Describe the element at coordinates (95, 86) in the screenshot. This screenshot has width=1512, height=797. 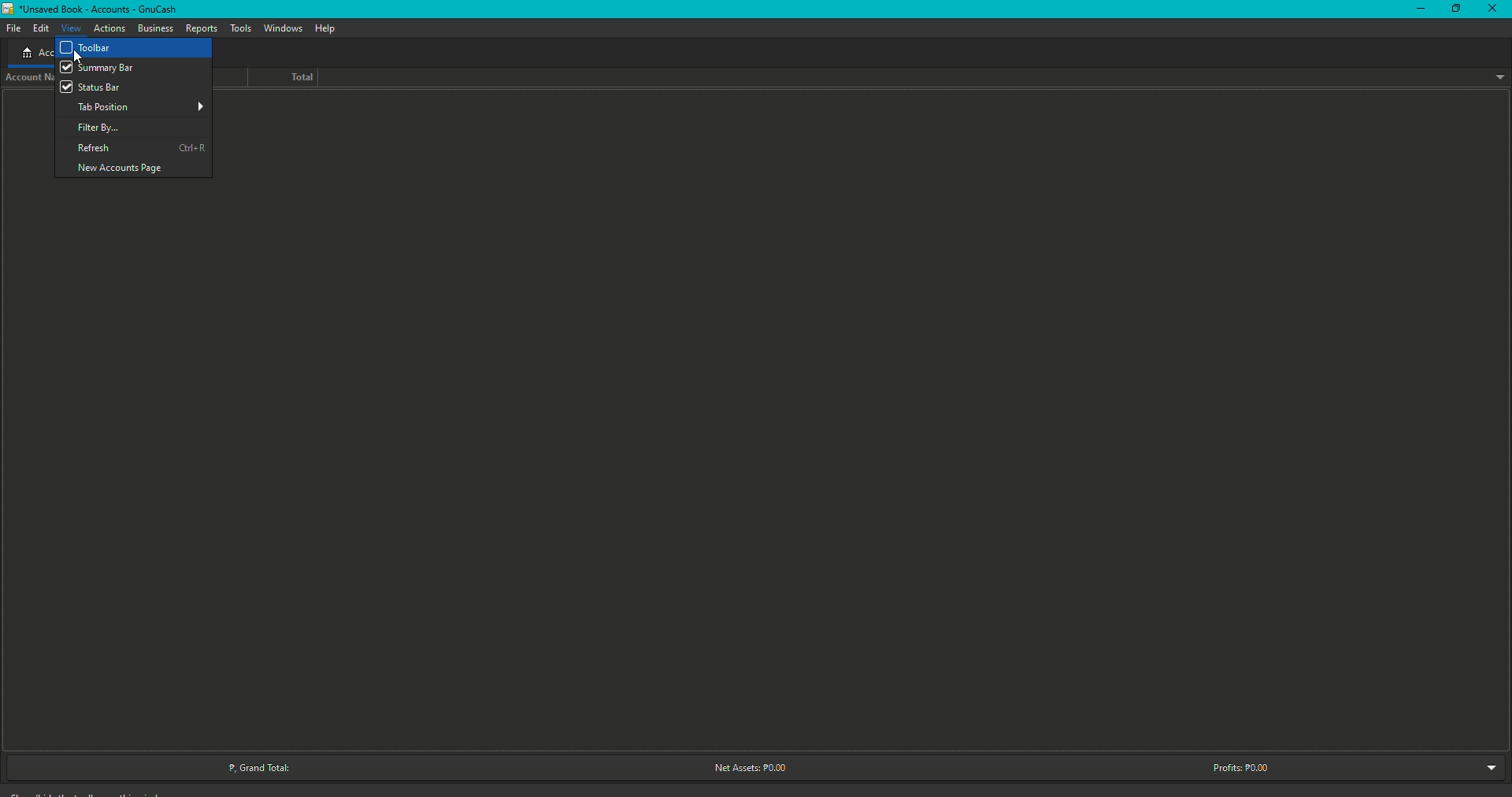
I see `Status bar` at that location.